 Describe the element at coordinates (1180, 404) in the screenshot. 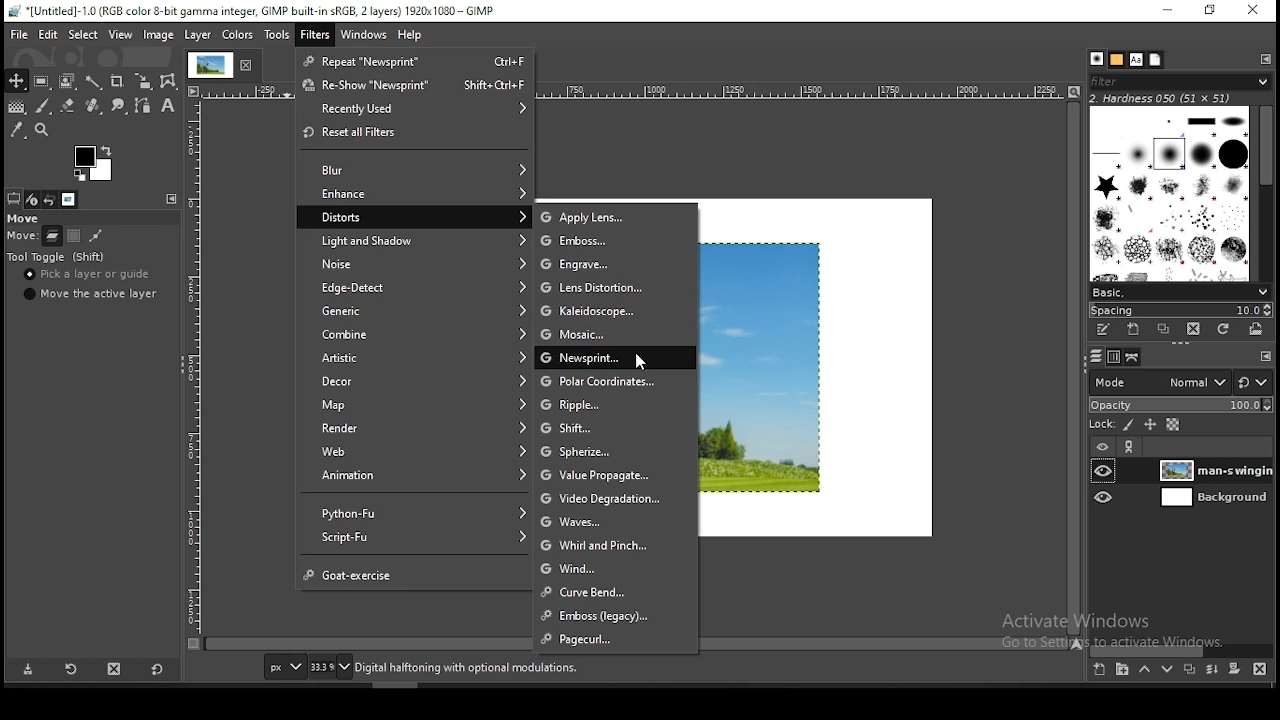

I see `opacity` at that location.